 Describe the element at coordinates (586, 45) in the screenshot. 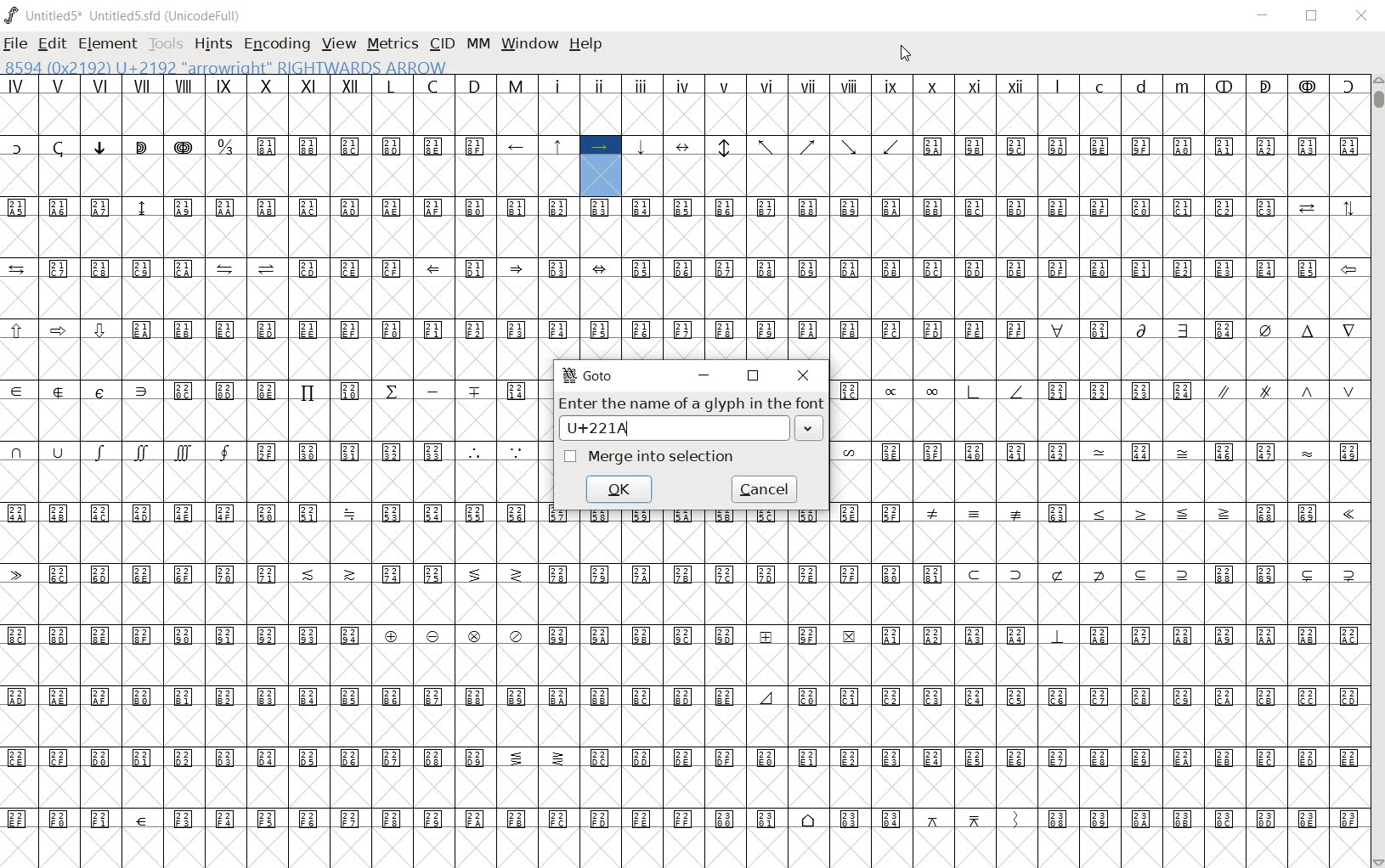

I see `HELP` at that location.